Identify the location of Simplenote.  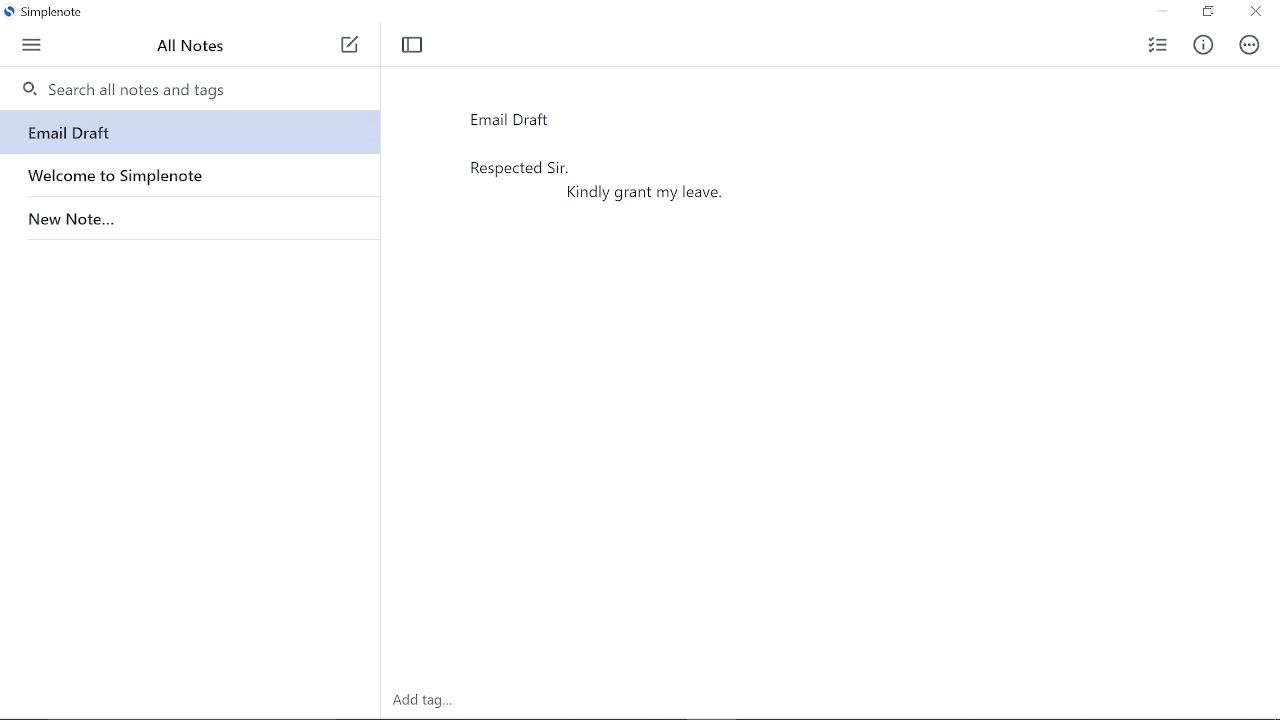
(47, 13).